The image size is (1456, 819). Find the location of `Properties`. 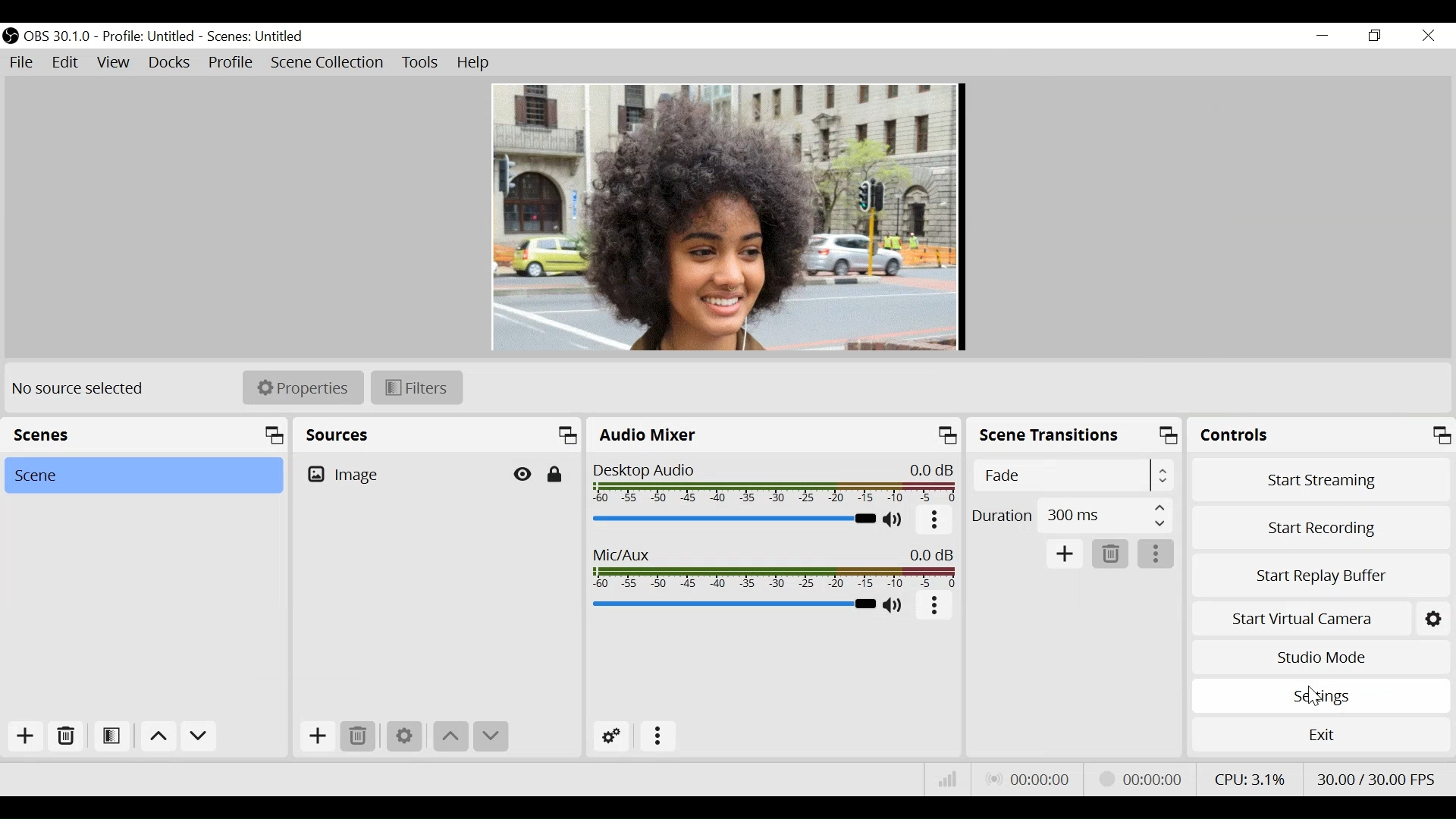

Properties is located at coordinates (304, 388).